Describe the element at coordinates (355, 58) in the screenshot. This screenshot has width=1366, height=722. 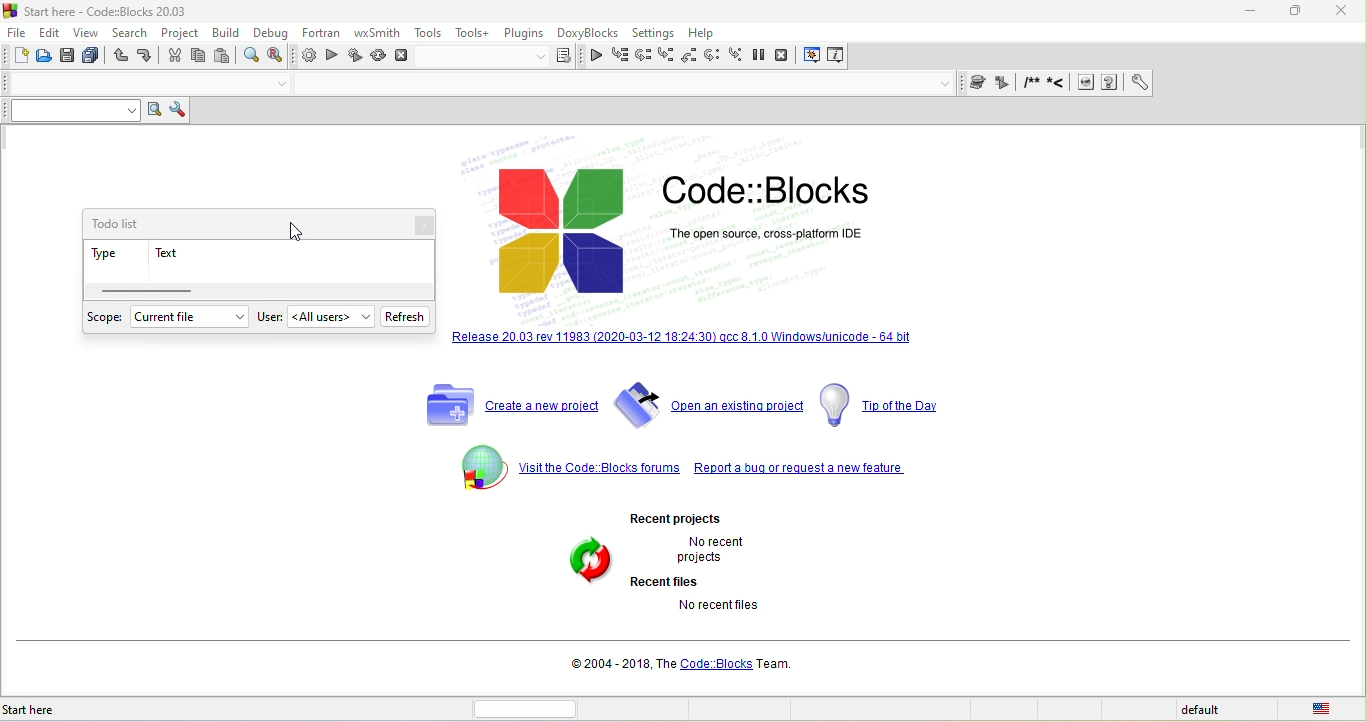
I see `build and run` at that location.